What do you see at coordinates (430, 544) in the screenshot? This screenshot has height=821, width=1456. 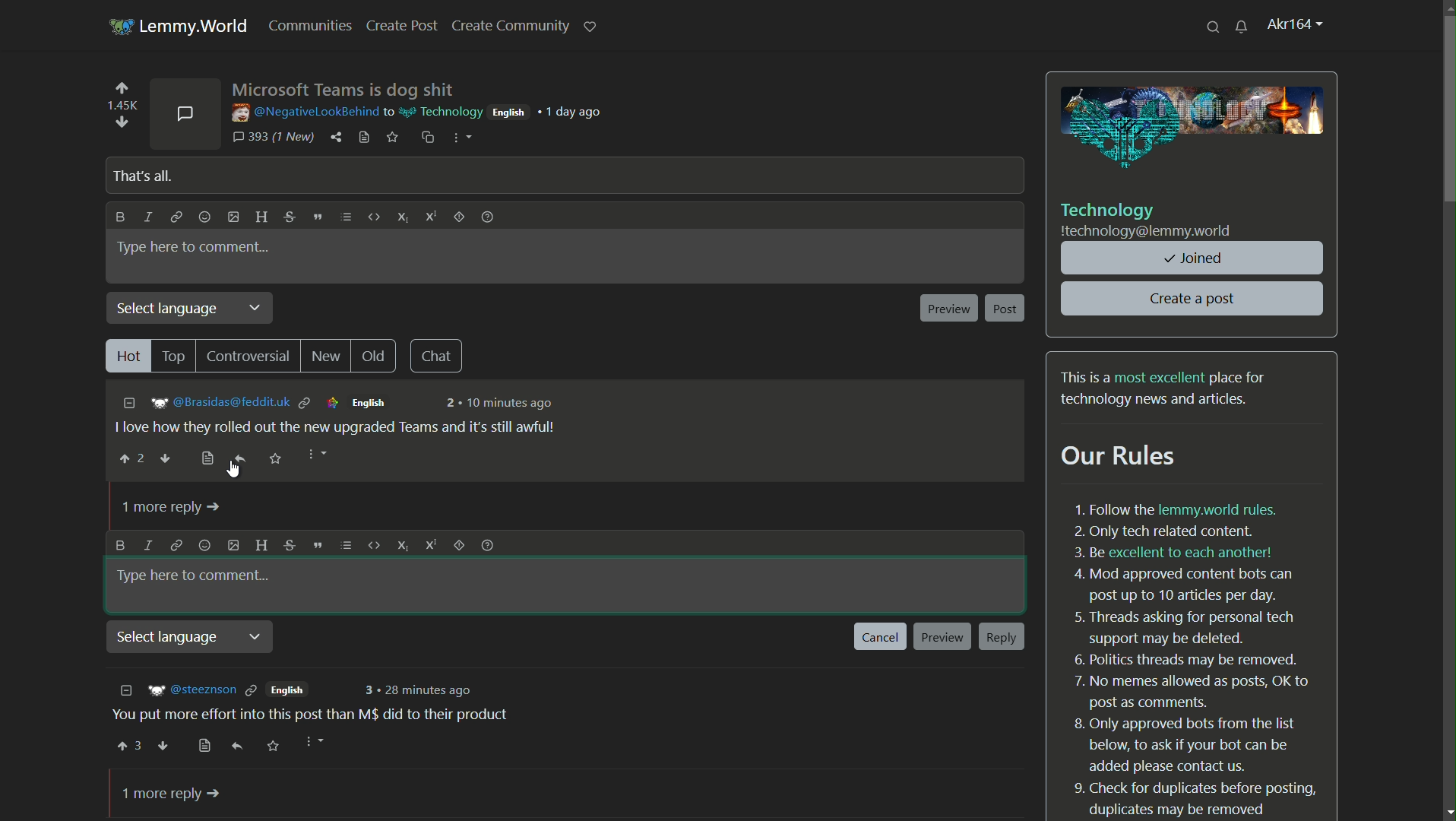 I see `superscript` at bounding box center [430, 544].